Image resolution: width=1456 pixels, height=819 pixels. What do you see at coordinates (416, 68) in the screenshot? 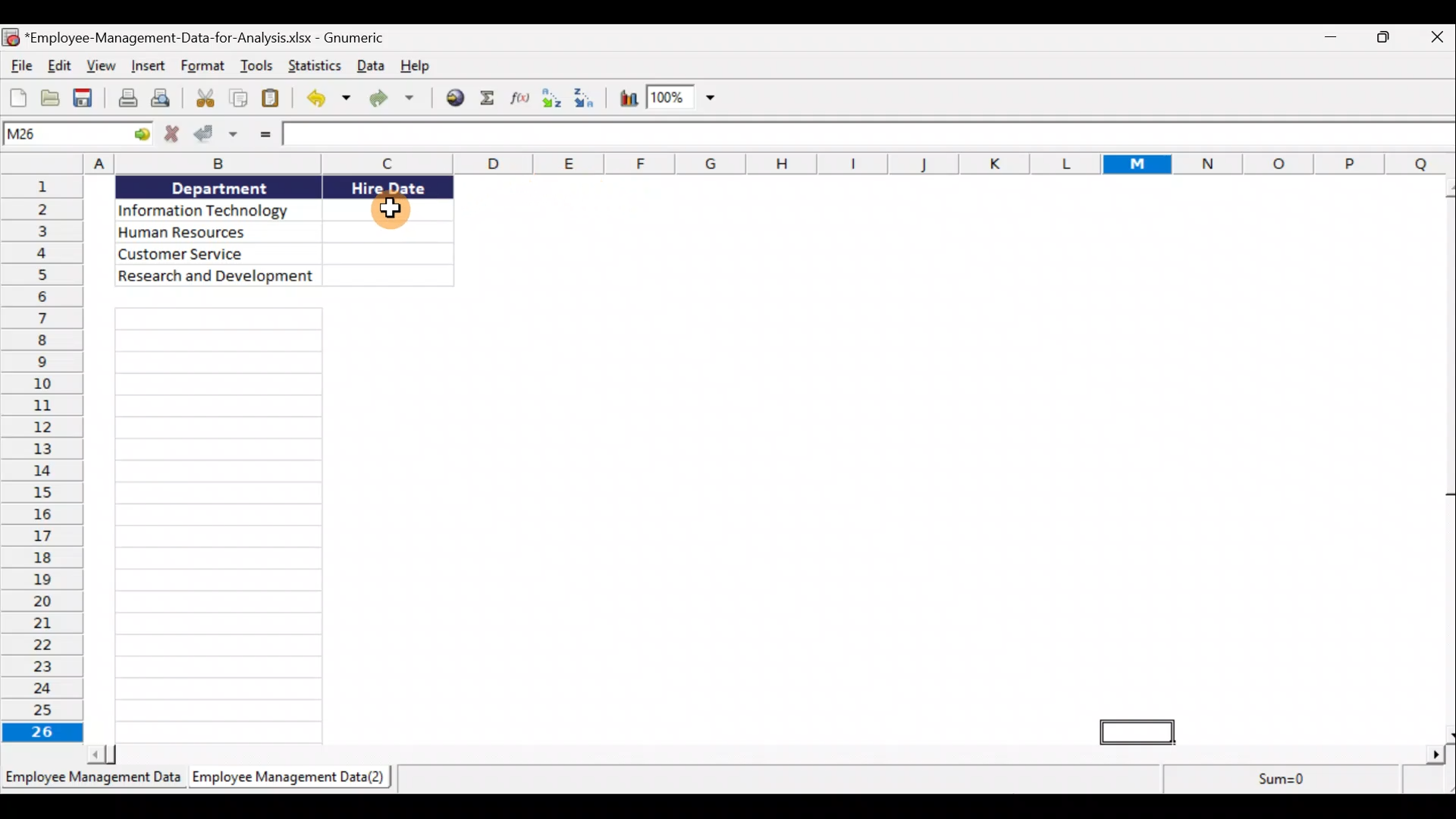
I see `Help` at bounding box center [416, 68].